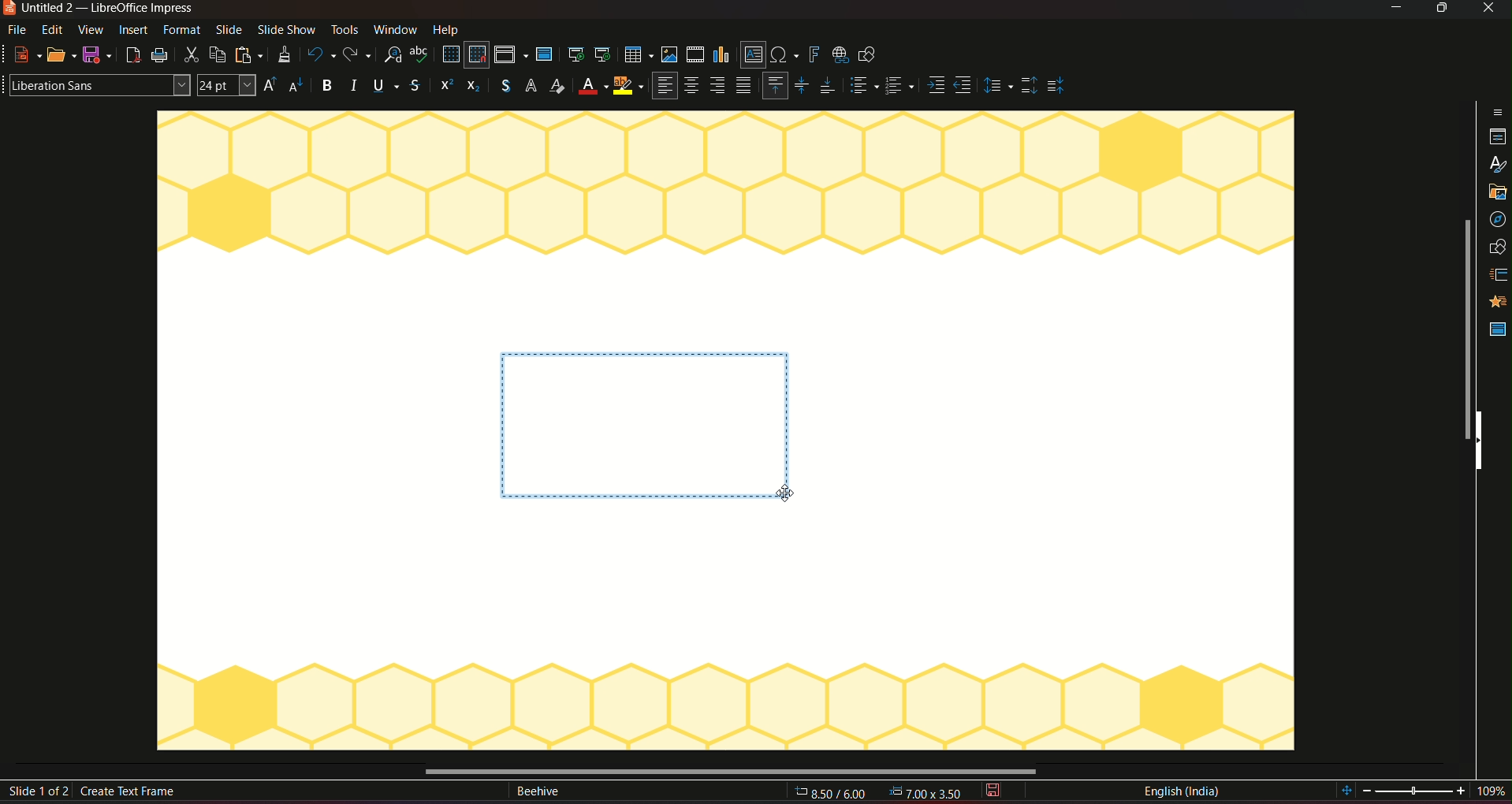  Describe the element at coordinates (1484, 441) in the screenshot. I see `hide sidebar` at that location.